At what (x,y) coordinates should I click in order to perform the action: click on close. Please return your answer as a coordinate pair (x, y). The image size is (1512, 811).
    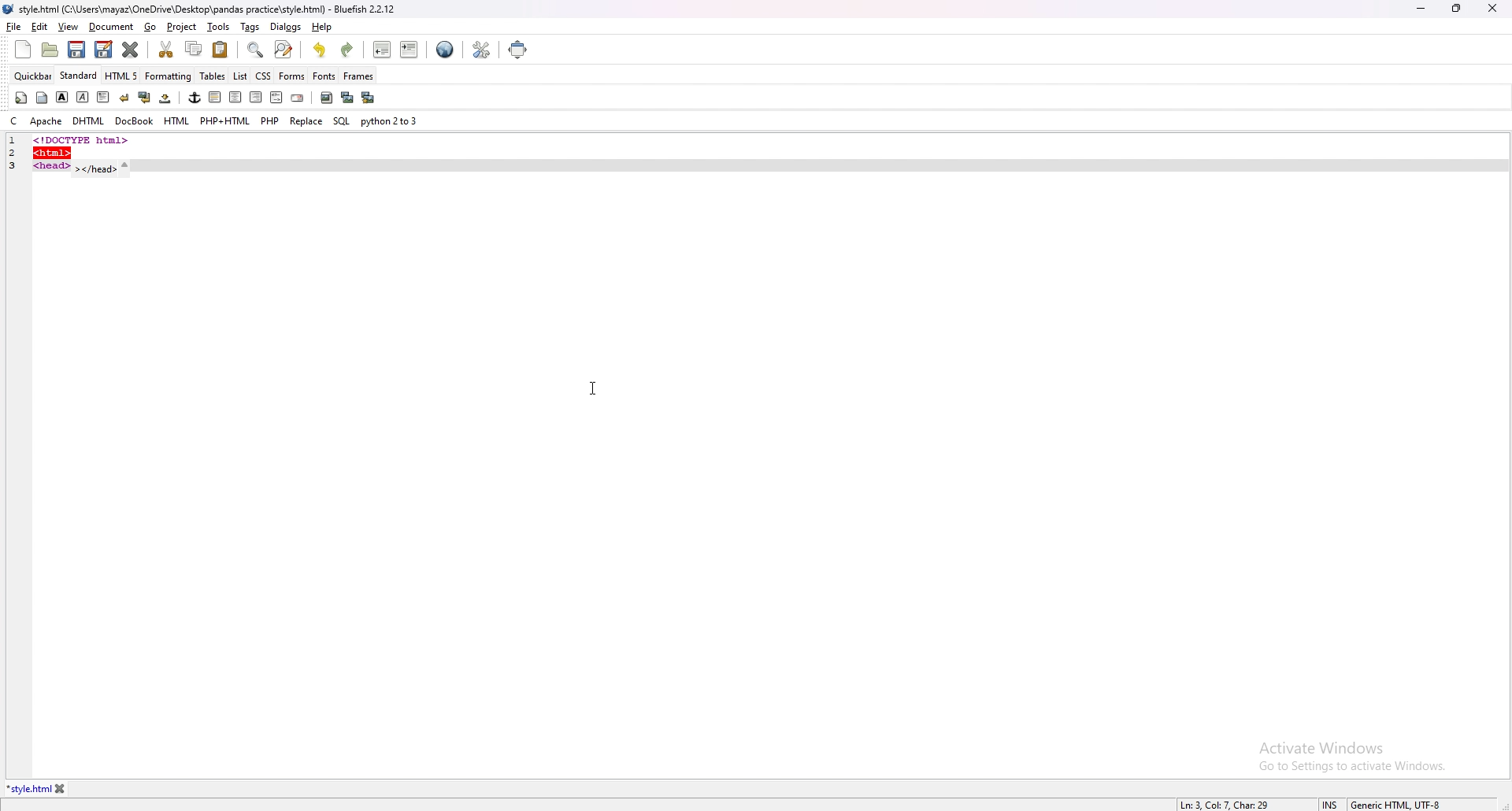
    Looking at the image, I should click on (1492, 8).